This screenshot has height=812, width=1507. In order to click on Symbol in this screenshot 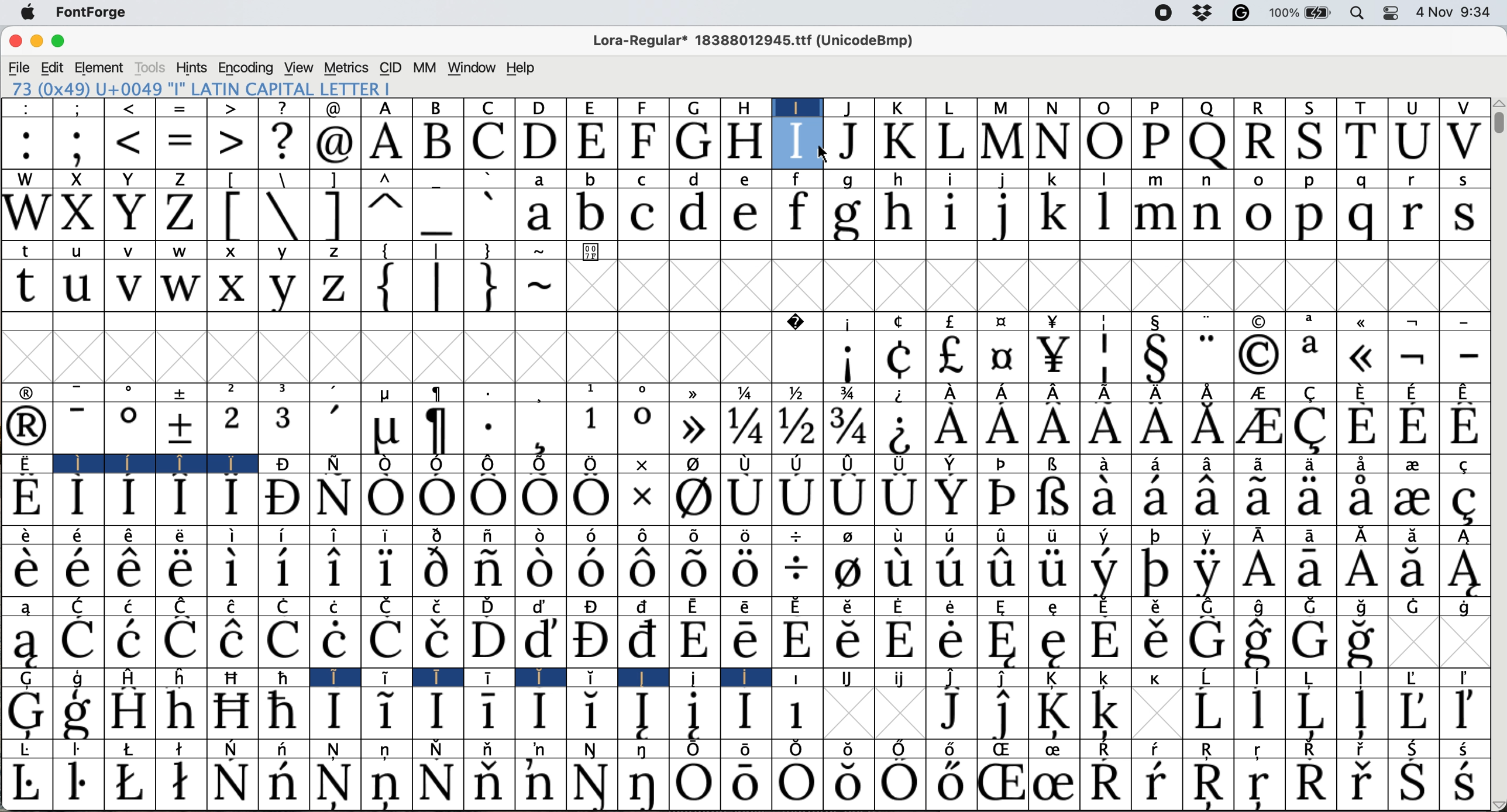, I will do `click(1468, 677)`.